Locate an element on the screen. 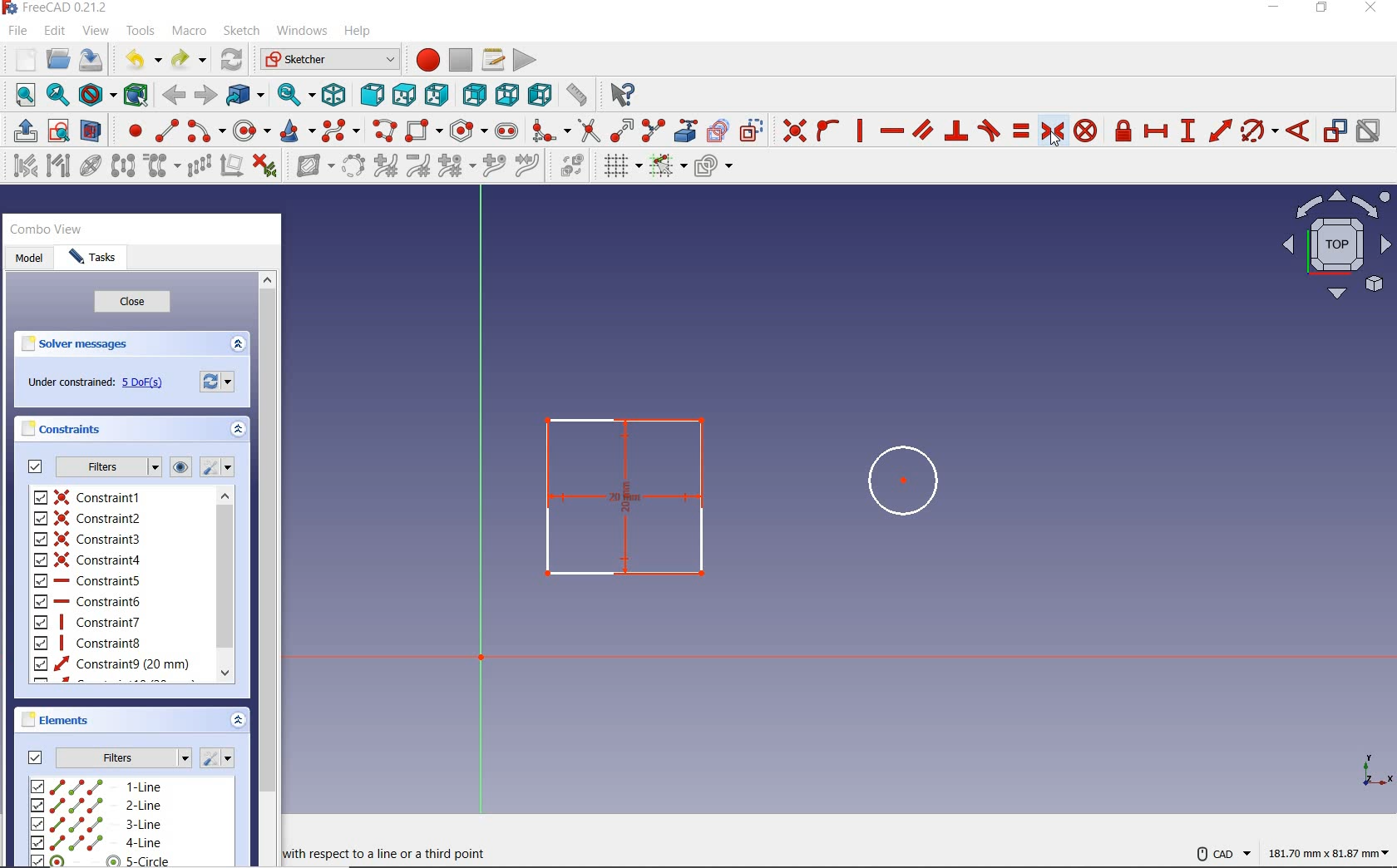 The height and width of the screenshot is (868, 1397). 2-LINE is located at coordinates (96, 806).